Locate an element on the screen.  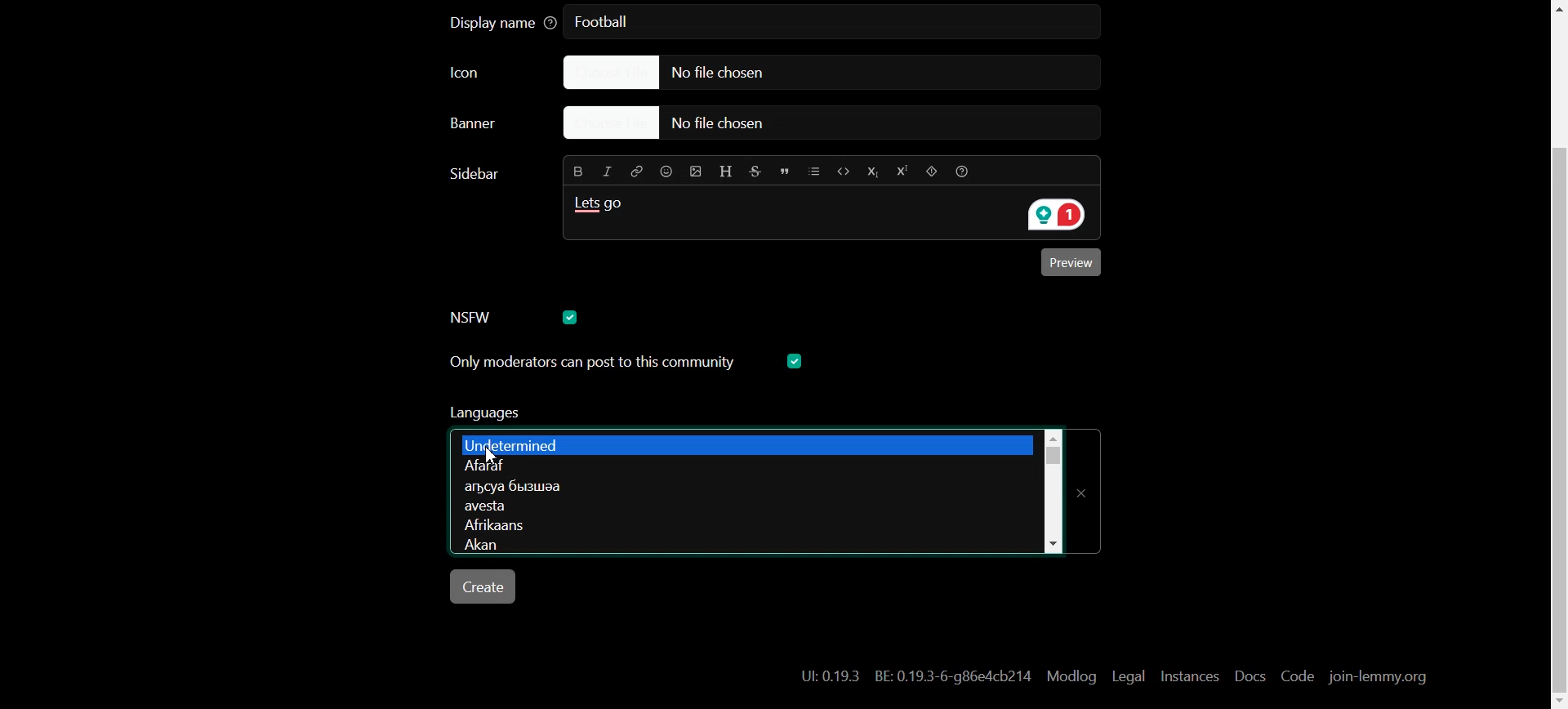
Italic is located at coordinates (608, 170).